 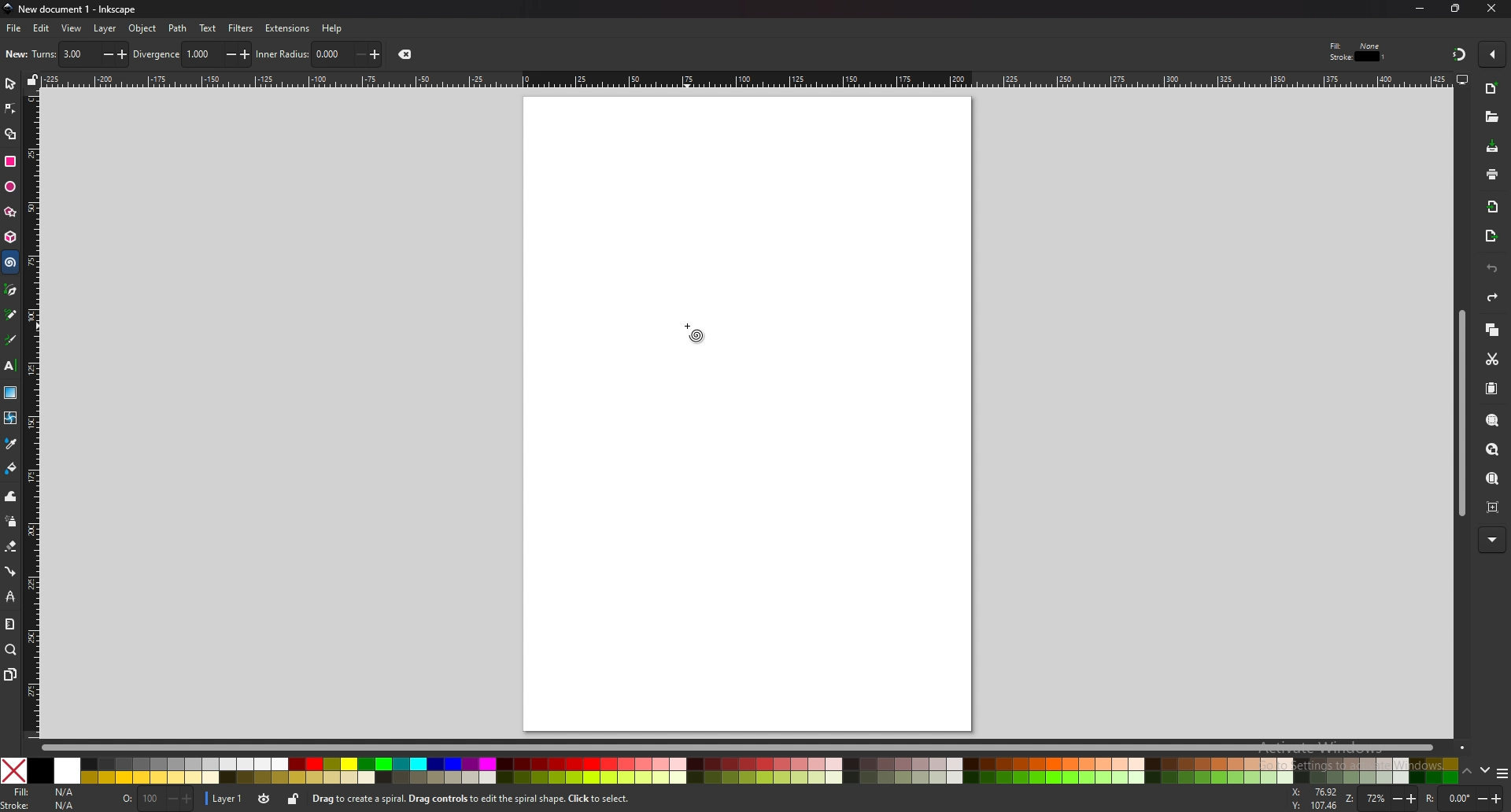 I want to click on export, so click(x=1490, y=236).